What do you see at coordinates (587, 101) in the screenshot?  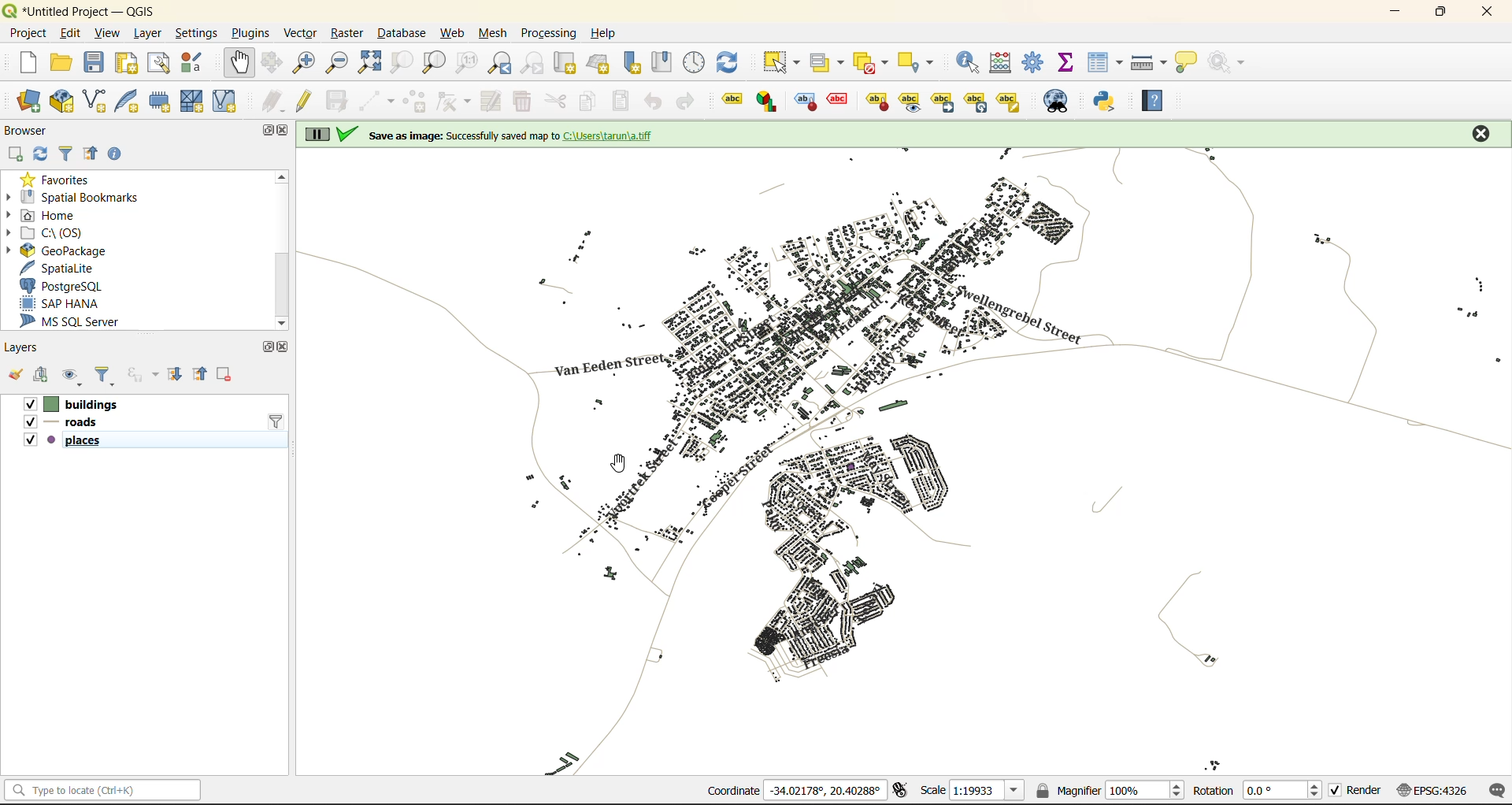 I see `copy` at bounding box center [587, 101].